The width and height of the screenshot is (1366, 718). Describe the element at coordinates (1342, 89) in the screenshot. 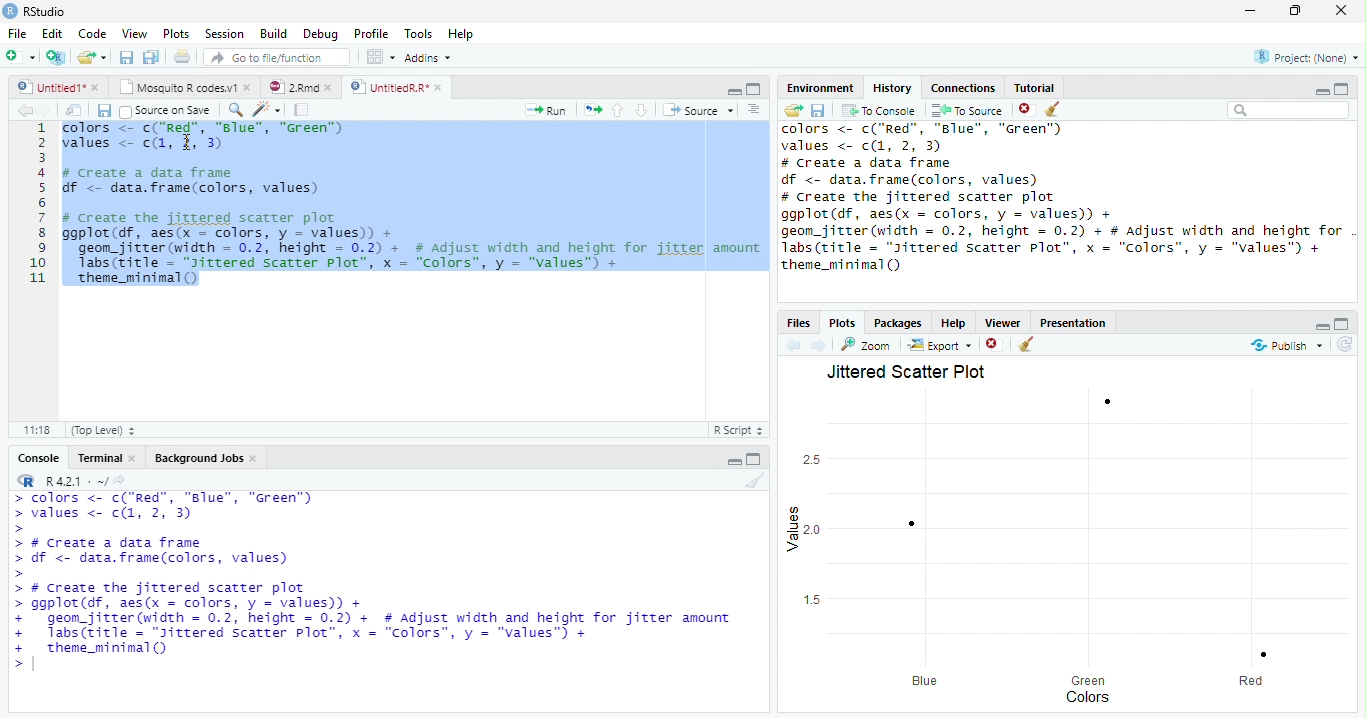

I see `Maximize` at that location.